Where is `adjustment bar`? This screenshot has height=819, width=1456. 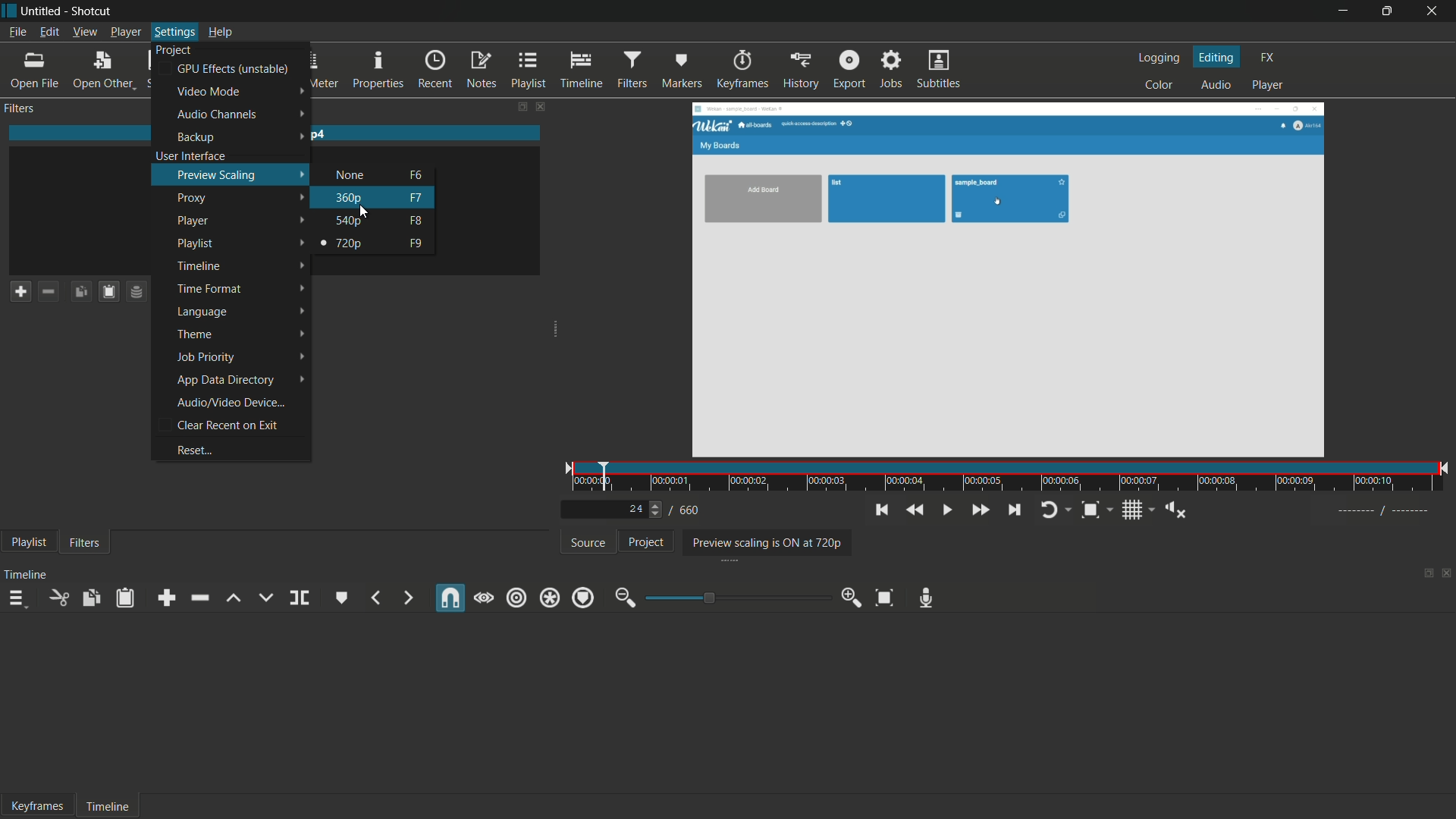
adjustment bar is located at coordinates (736, 598).